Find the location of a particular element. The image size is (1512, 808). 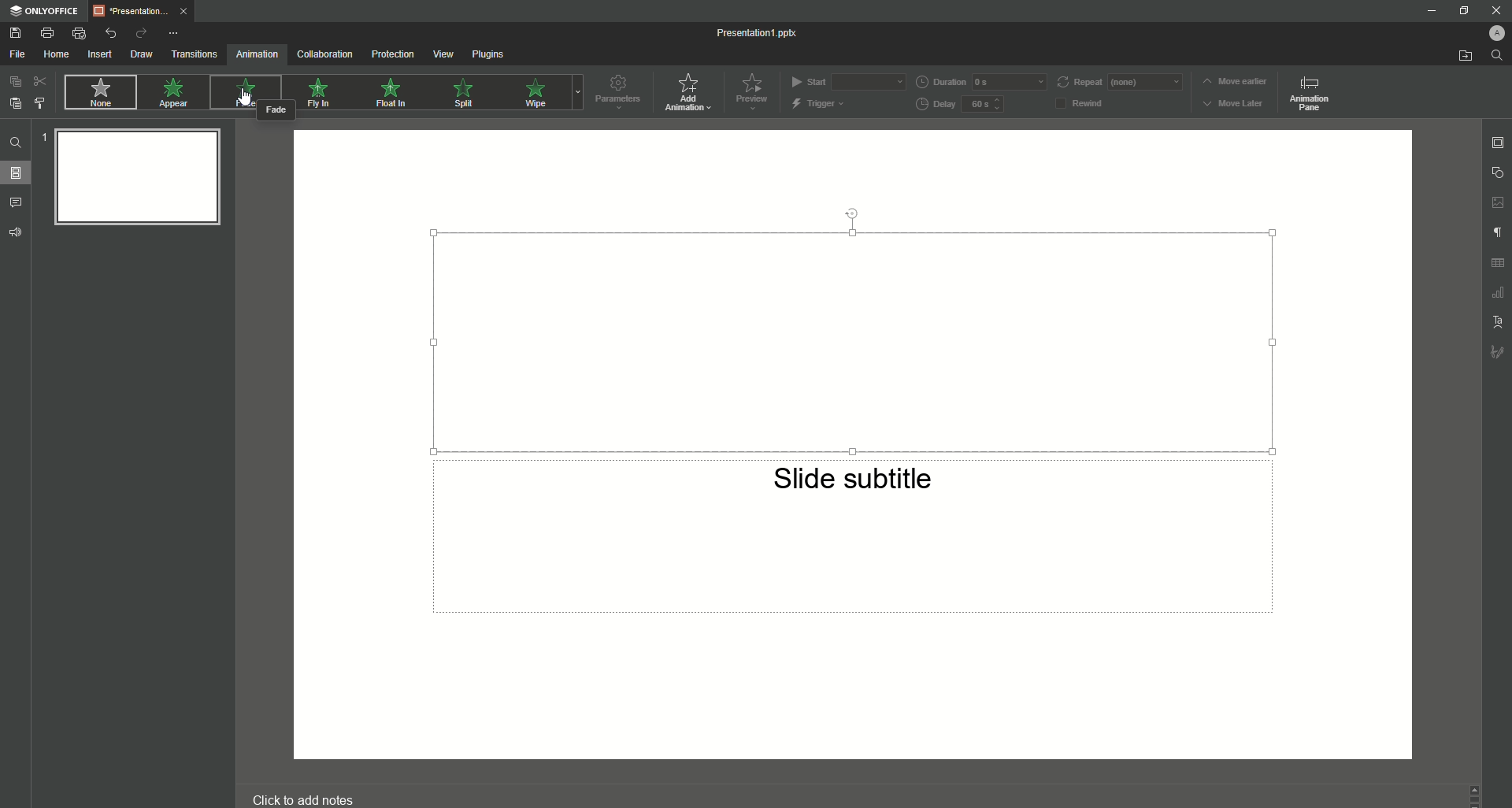

Copy is located at coordinates (13, 82).